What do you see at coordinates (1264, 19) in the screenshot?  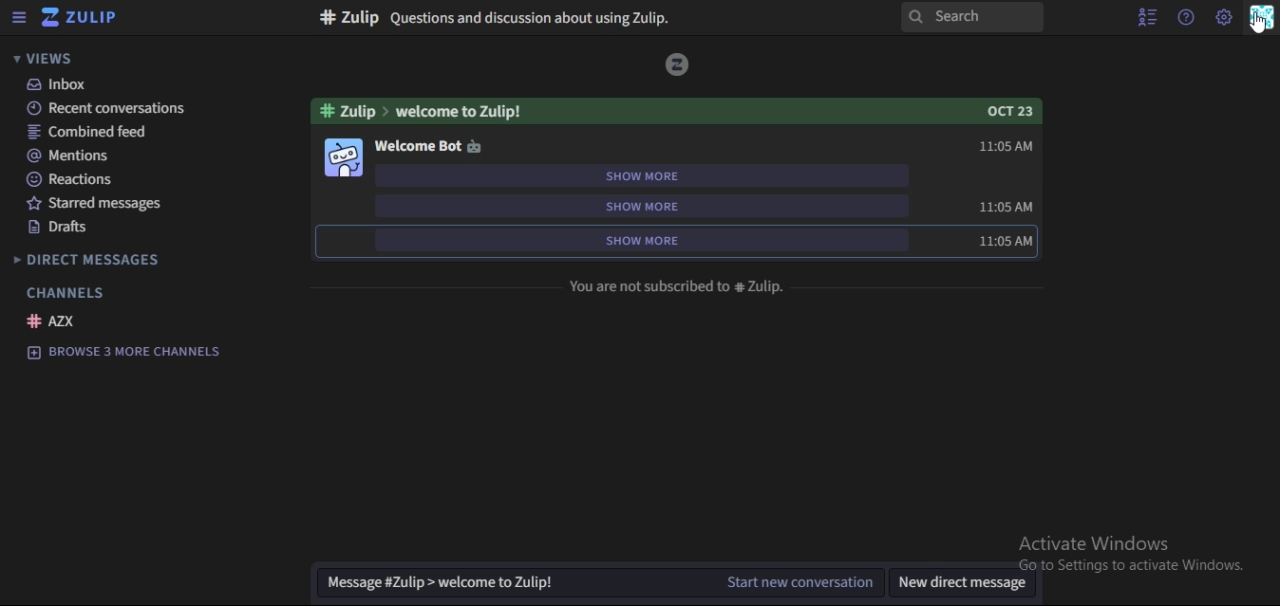 I see `personal menu` at bounding box center [1264, 19].